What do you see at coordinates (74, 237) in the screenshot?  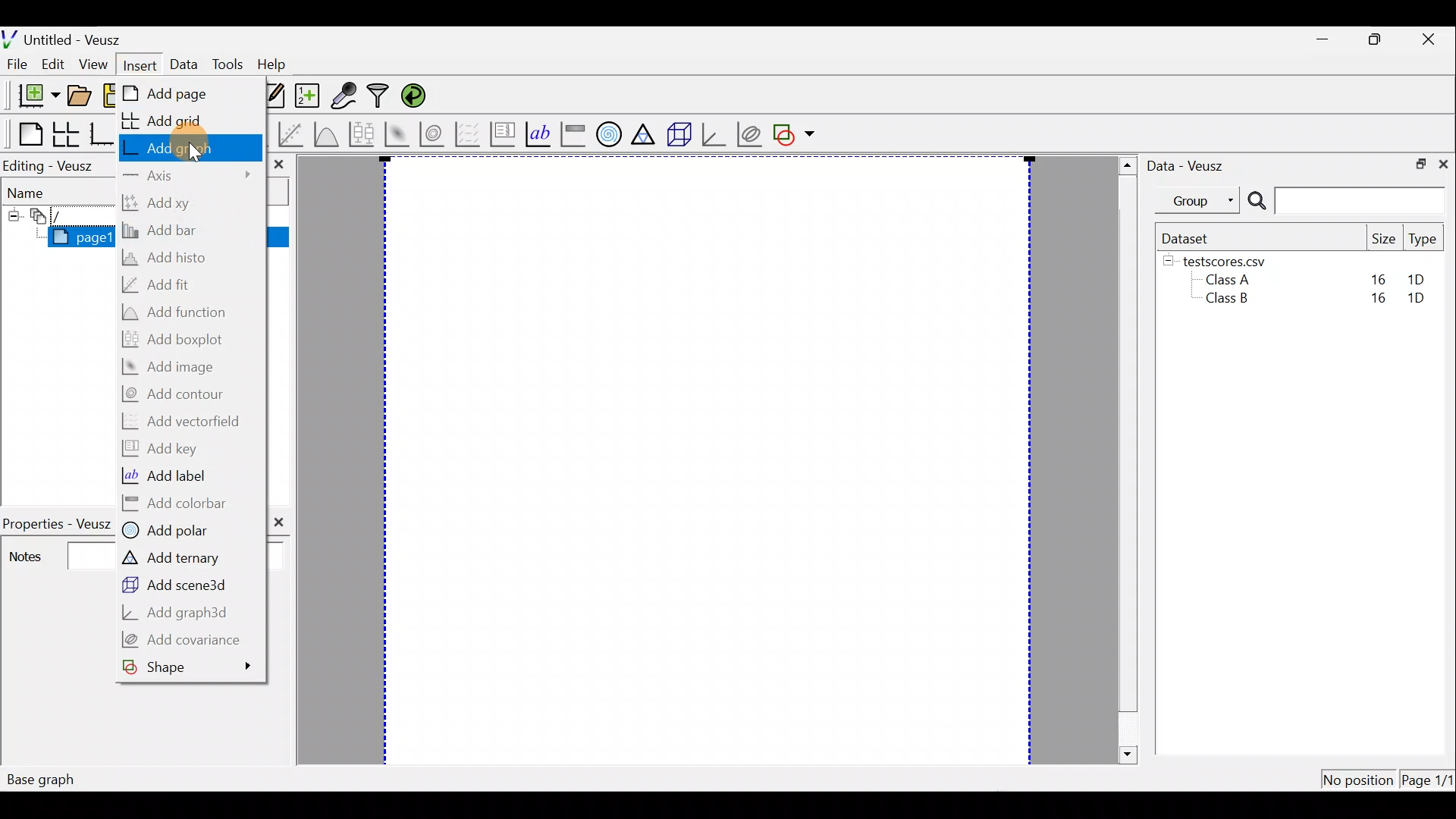 I see `page1` at bounding box center [74, 237].